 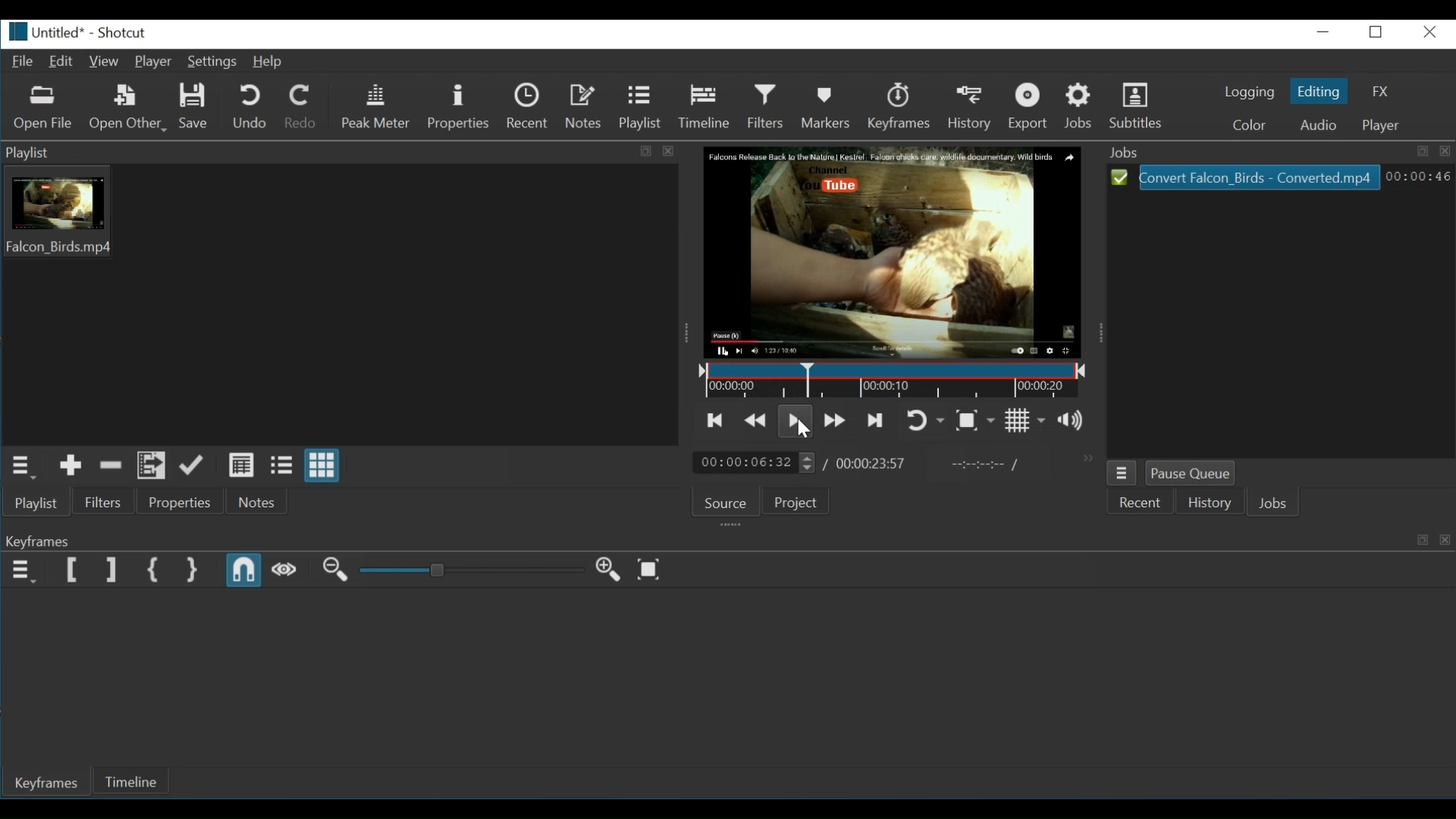 What do you see at coordinates (607, 570) in the screenshot?
I see `Zoom in` at bounding box center [607, 570].